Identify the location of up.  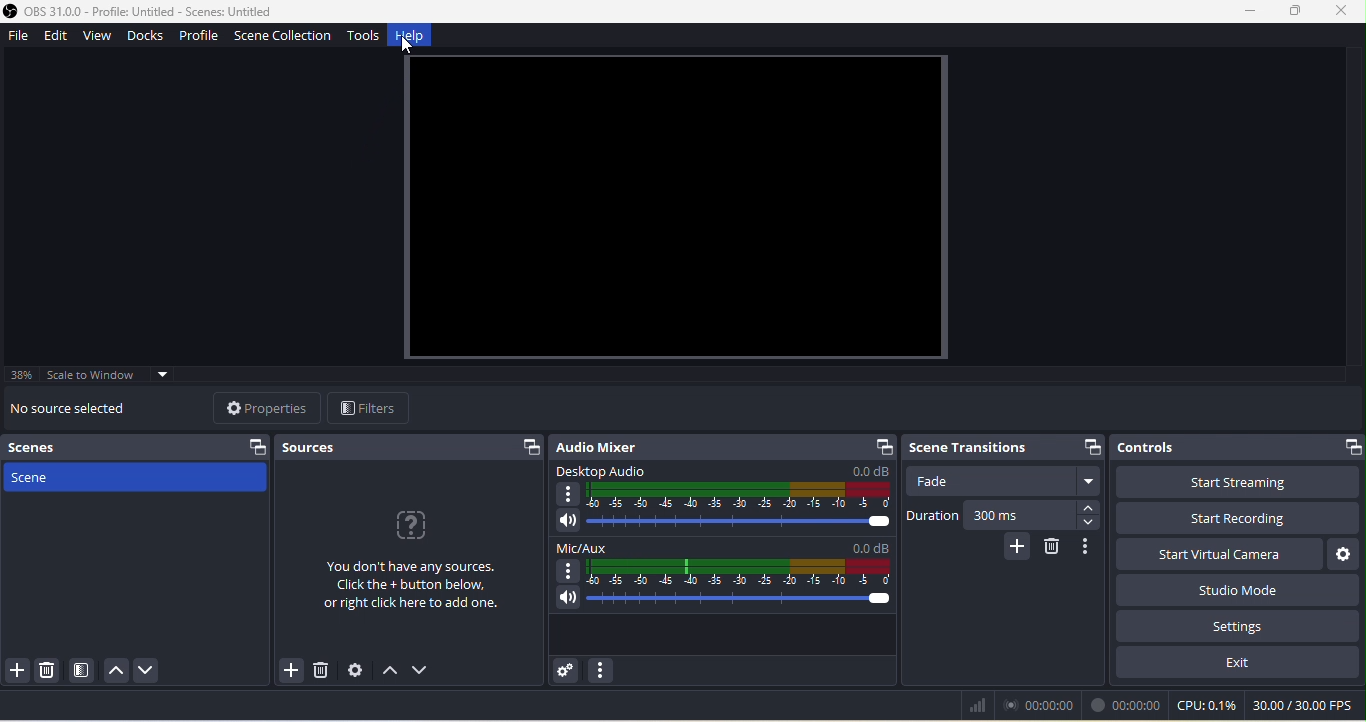
(391, 674).